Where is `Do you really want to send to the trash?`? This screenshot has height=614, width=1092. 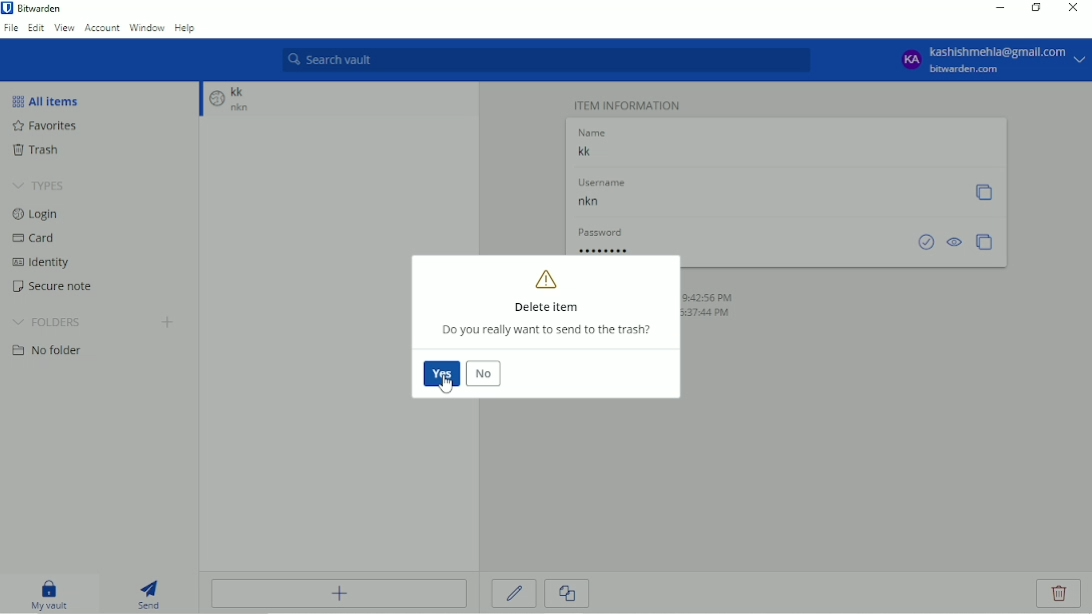 Do you really want to send to the trash? is located at coordinates (547, 331).